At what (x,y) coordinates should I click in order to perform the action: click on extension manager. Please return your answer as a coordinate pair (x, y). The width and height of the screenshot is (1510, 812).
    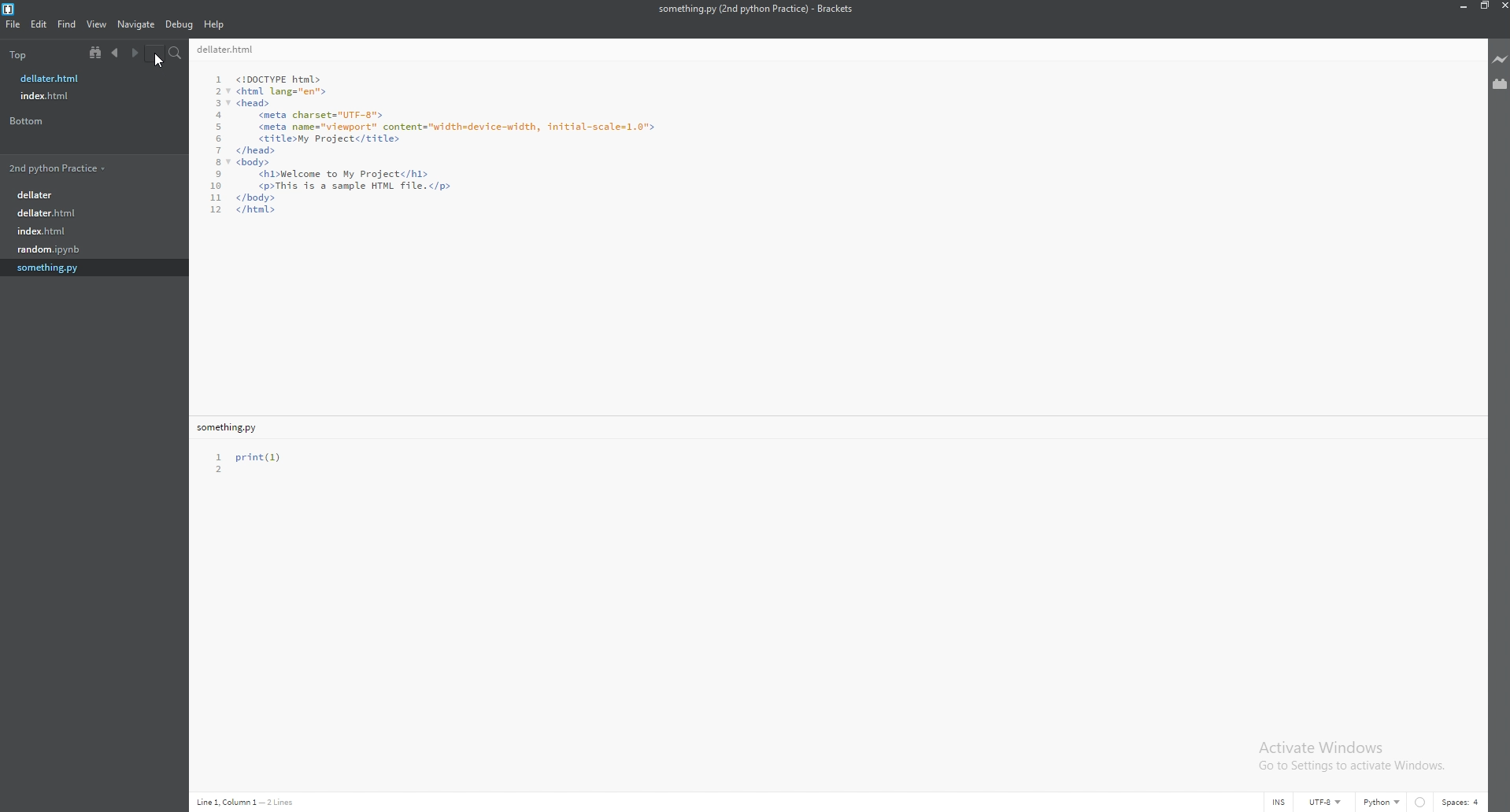
    Looking at the image, I should click on (1499, 84).